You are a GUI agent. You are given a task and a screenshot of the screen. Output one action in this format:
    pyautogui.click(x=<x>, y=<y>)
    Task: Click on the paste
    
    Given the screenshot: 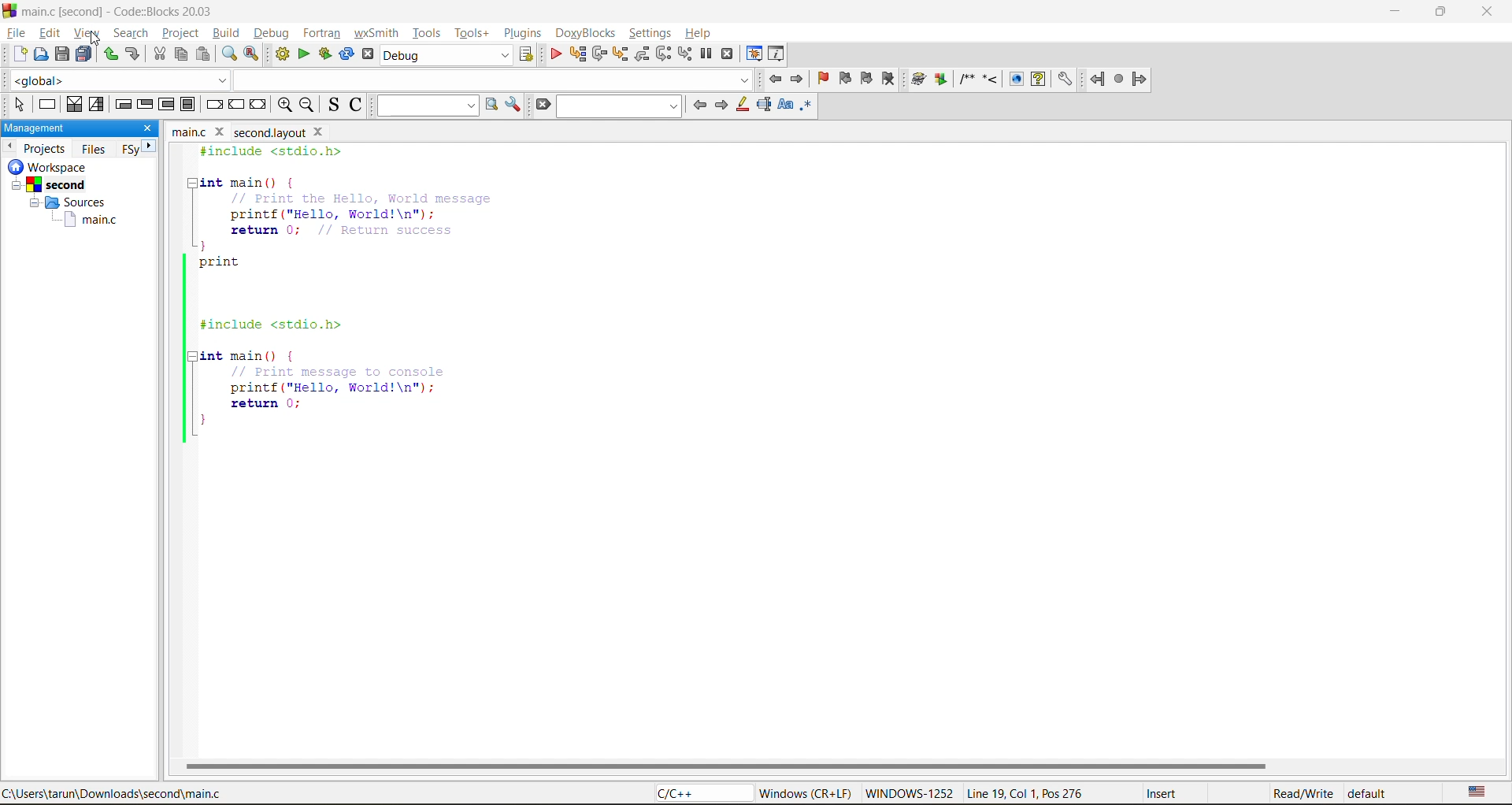 What is the action you would take?
    pyautogui.click(x=204, y=54)
    